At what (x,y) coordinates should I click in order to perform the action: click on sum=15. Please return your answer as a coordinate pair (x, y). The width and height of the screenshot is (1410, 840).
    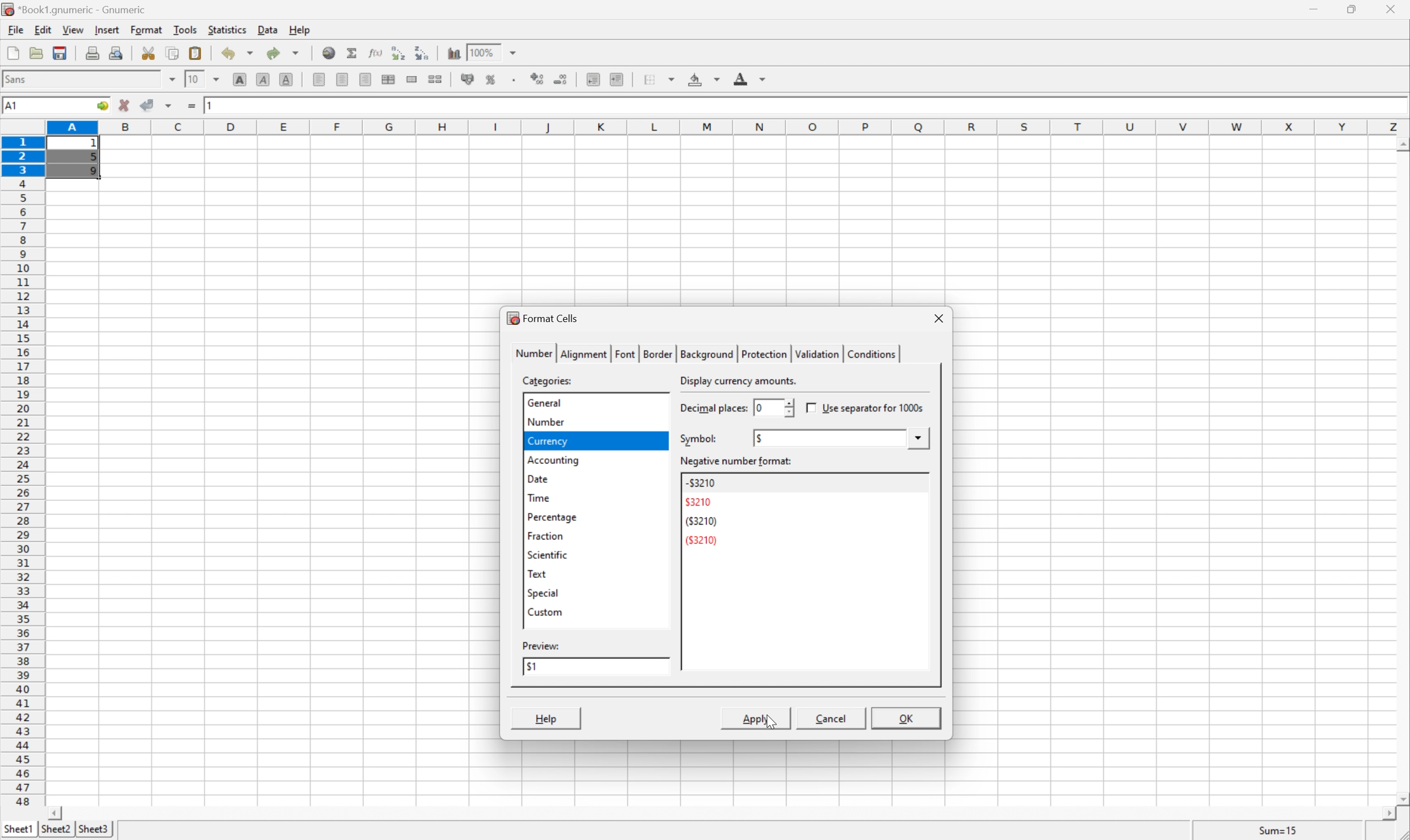
    Looking at the image, I should click on (1278, 830).